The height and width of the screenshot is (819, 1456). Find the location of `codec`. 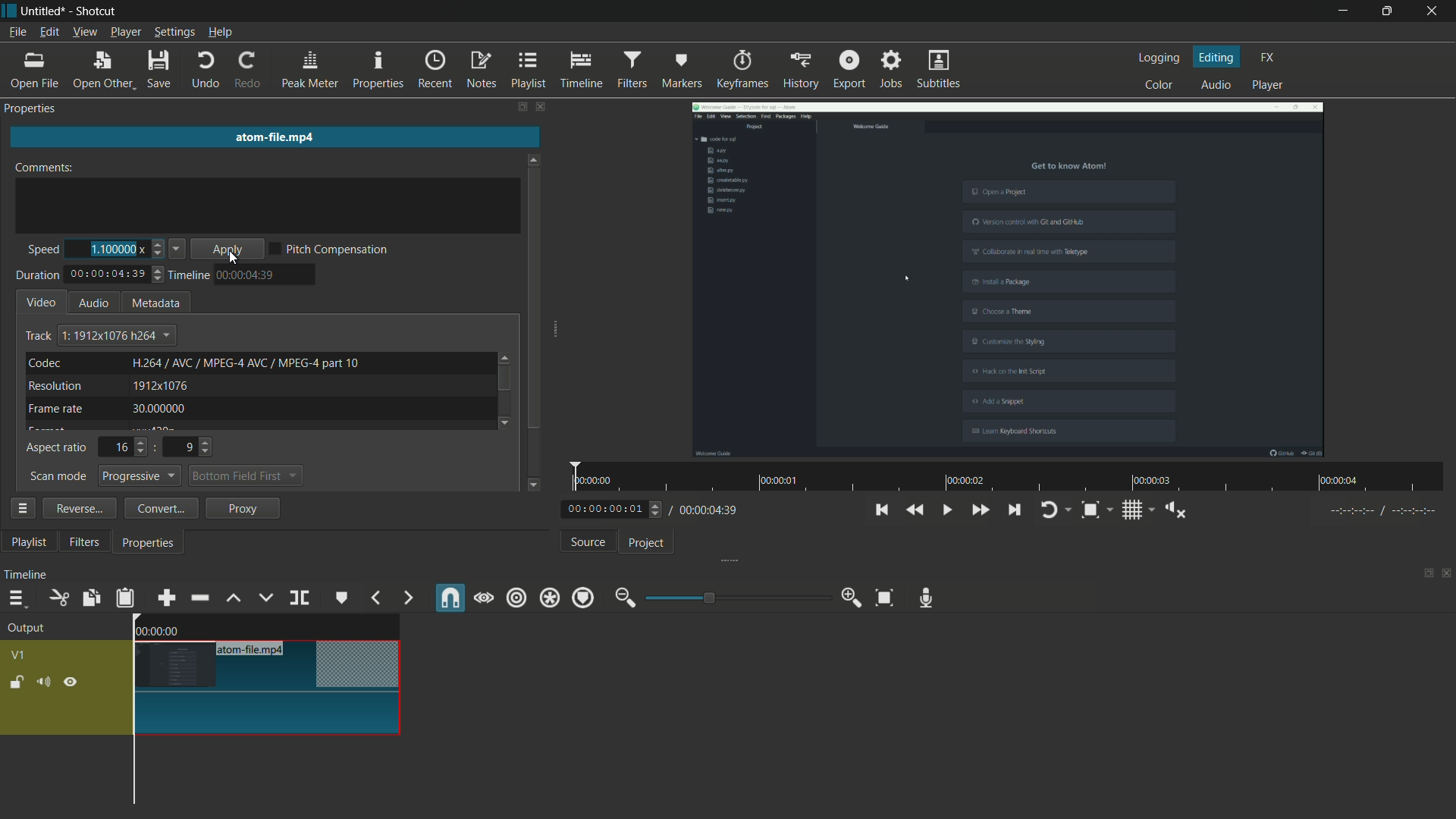

codec is located at coordinates (43, 362).